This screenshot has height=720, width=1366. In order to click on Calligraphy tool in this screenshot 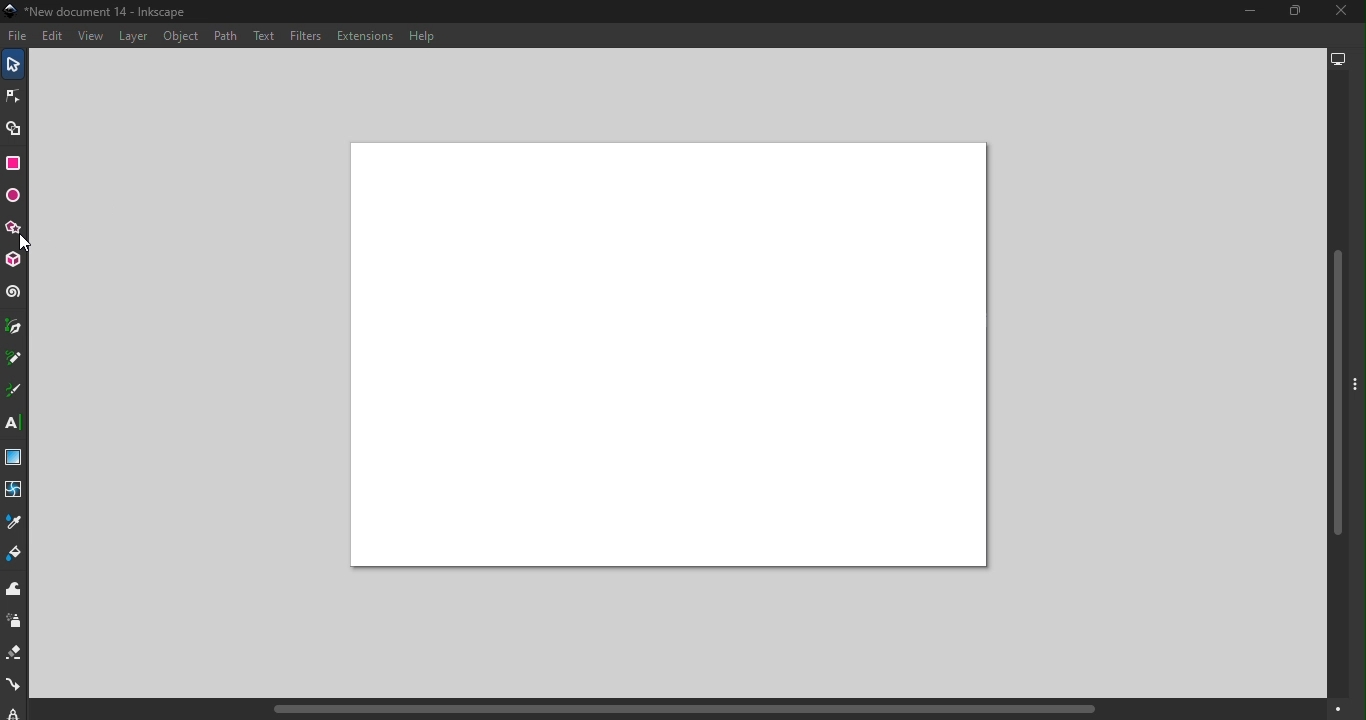, I will do `click(14, 392)`.